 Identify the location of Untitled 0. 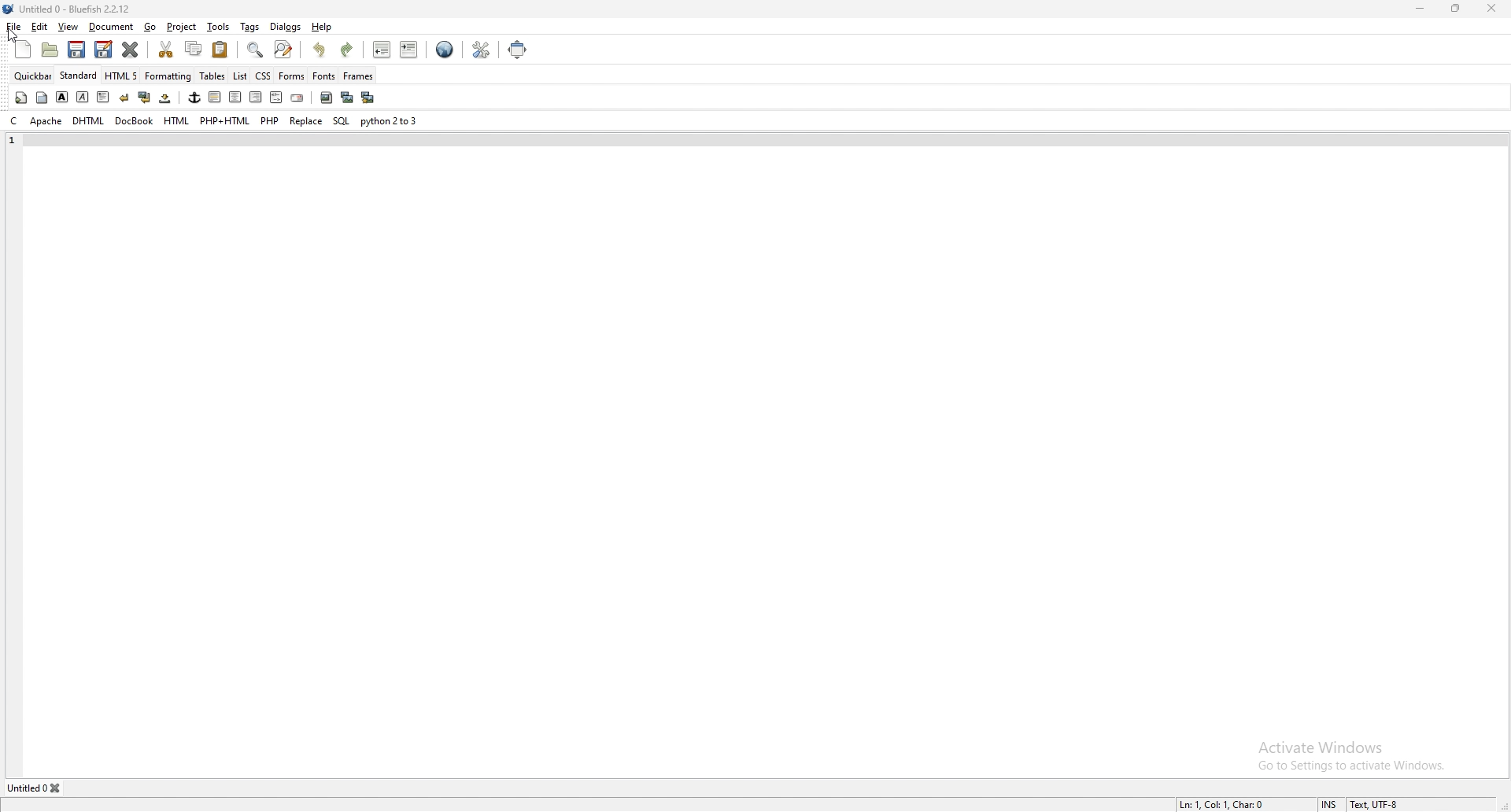
(26, 788).